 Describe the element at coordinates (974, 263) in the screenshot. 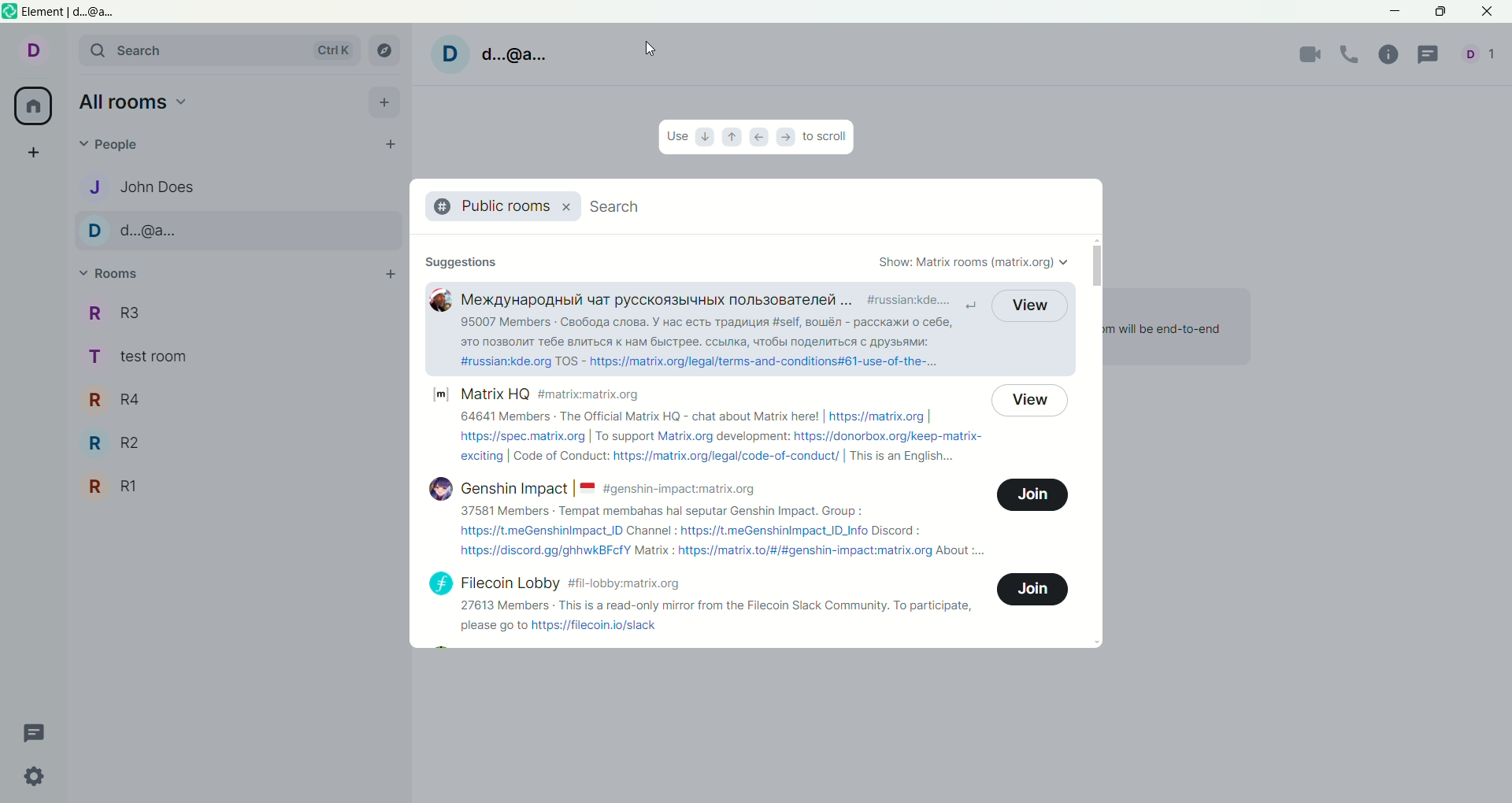

I see `Show: Matrix rooms (matrix.org)` at that location.